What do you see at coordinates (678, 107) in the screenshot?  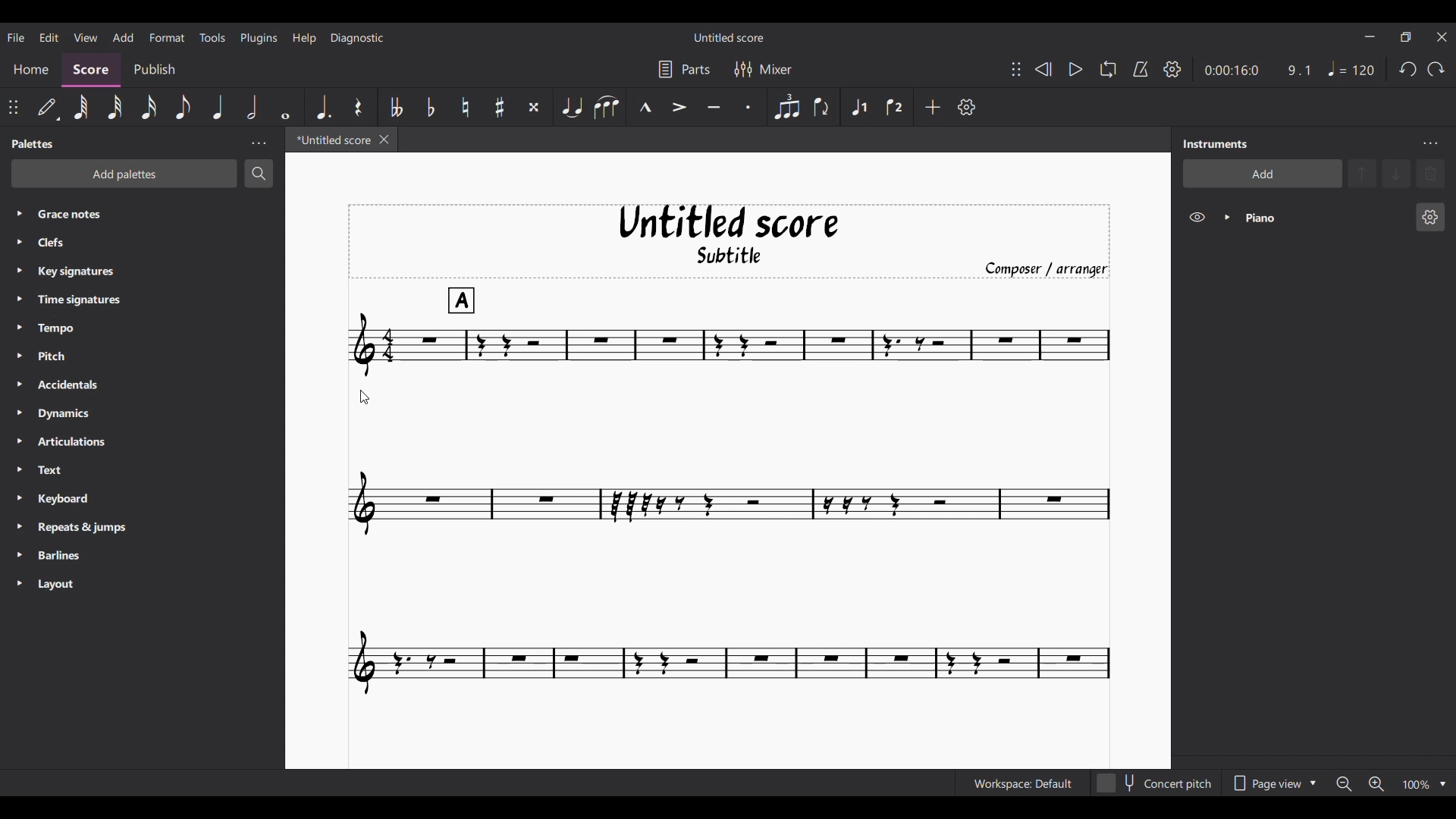 I see `Accent` at bounding box center [678, 107].